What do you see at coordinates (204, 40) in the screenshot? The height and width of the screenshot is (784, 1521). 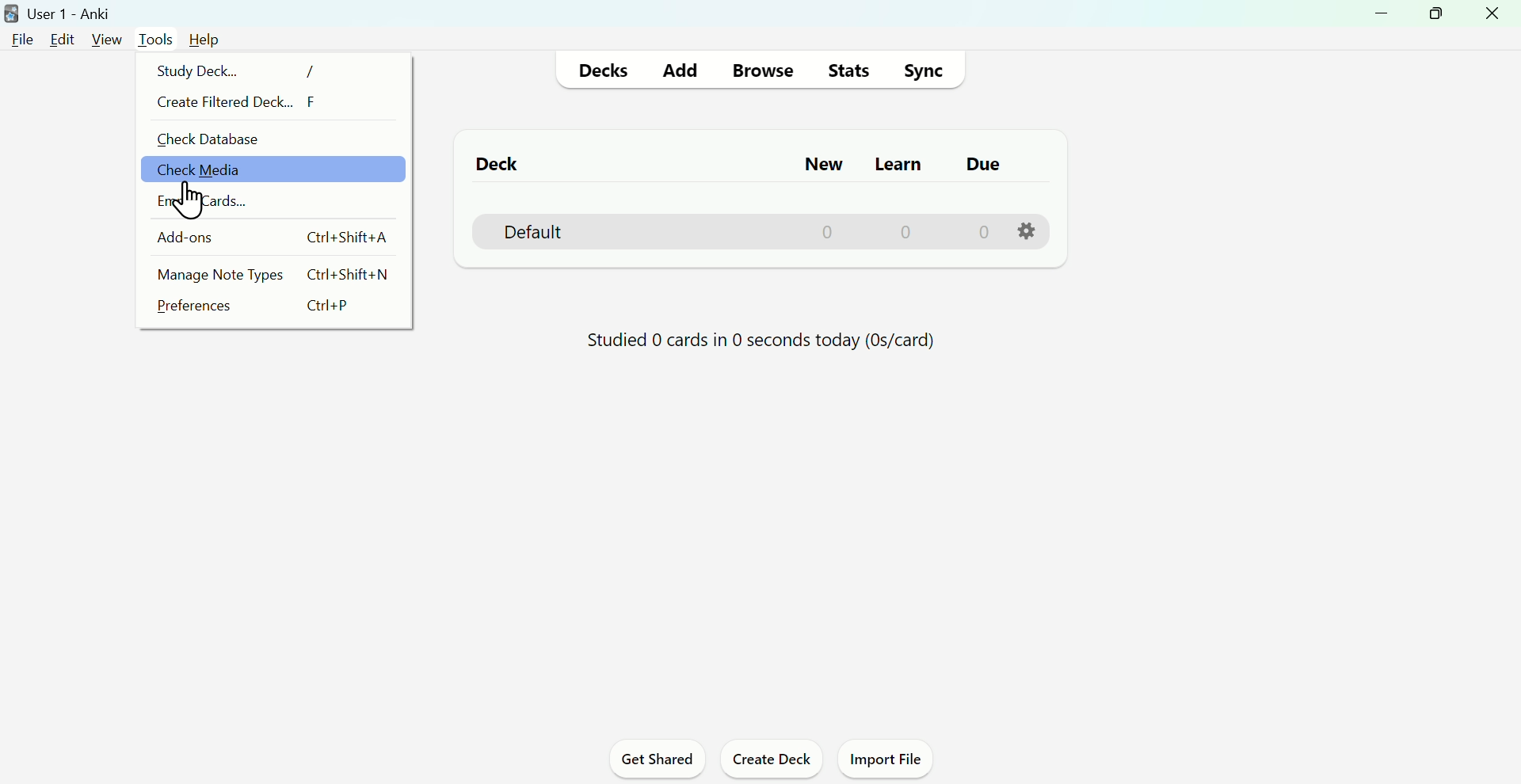 I see `Help` at bounding box center [204, 40].